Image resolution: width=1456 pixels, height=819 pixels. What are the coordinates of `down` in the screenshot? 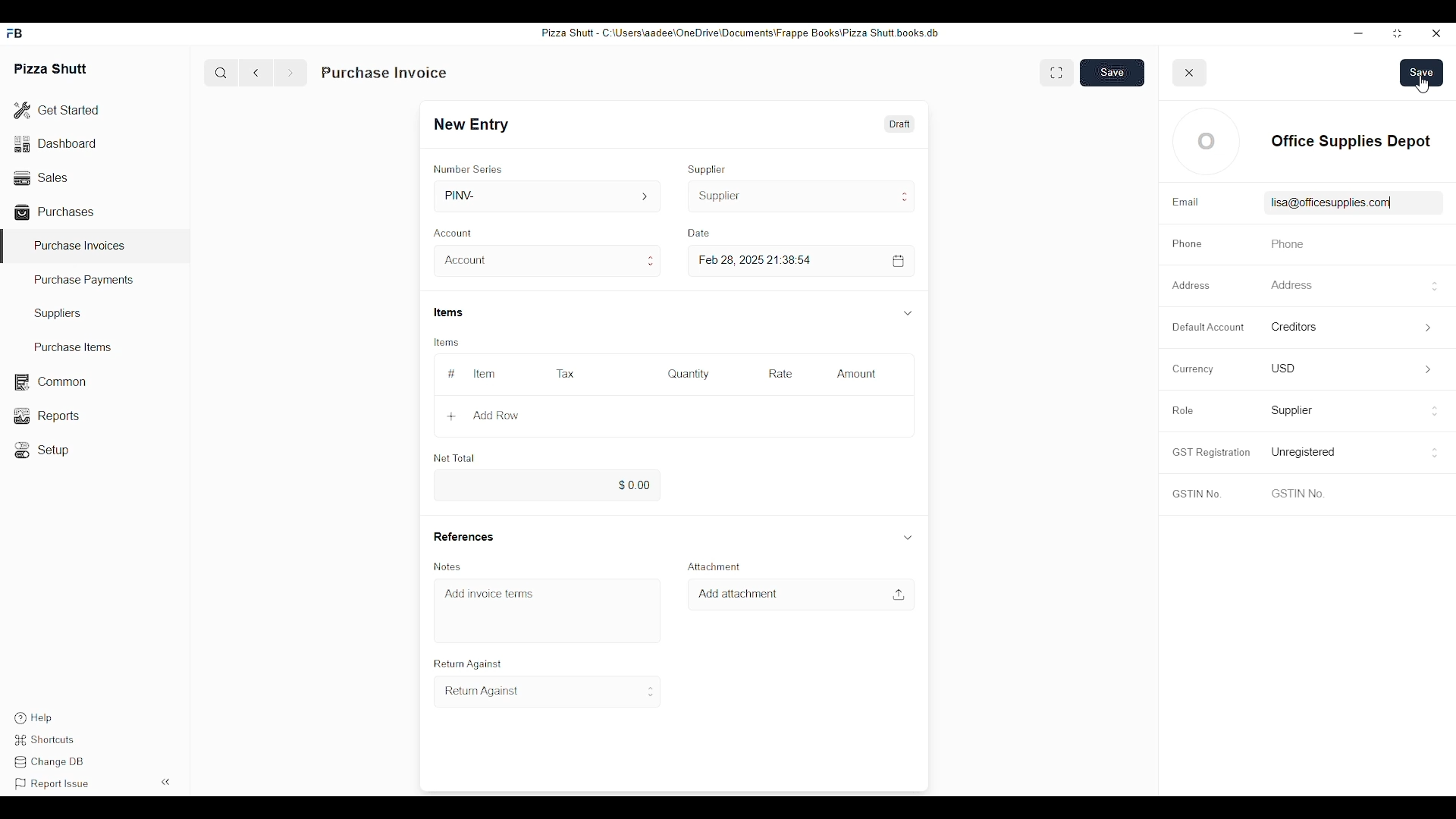 It's located at (907, 313).